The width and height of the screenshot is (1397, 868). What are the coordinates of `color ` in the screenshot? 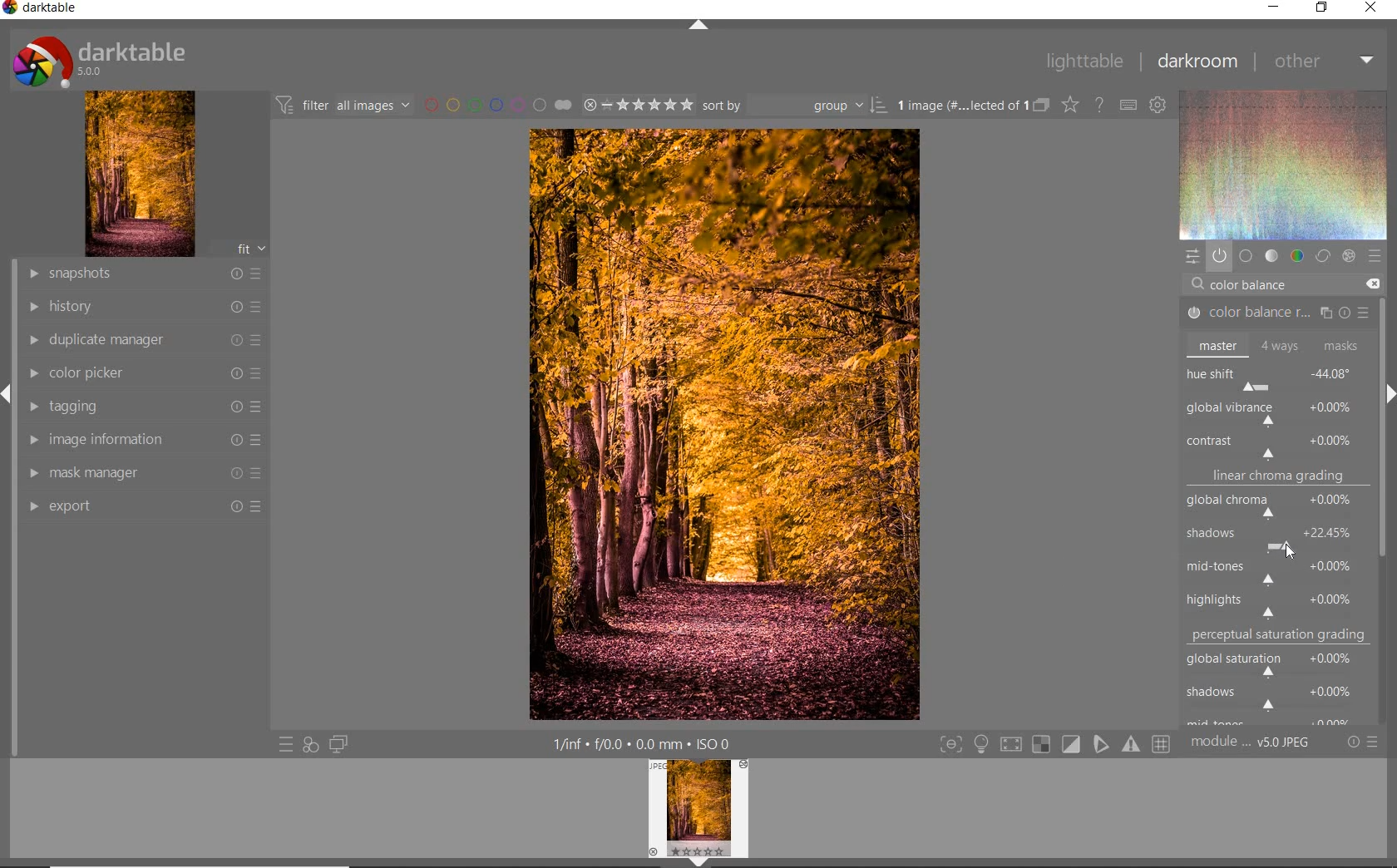 It's located at (1296, 256).